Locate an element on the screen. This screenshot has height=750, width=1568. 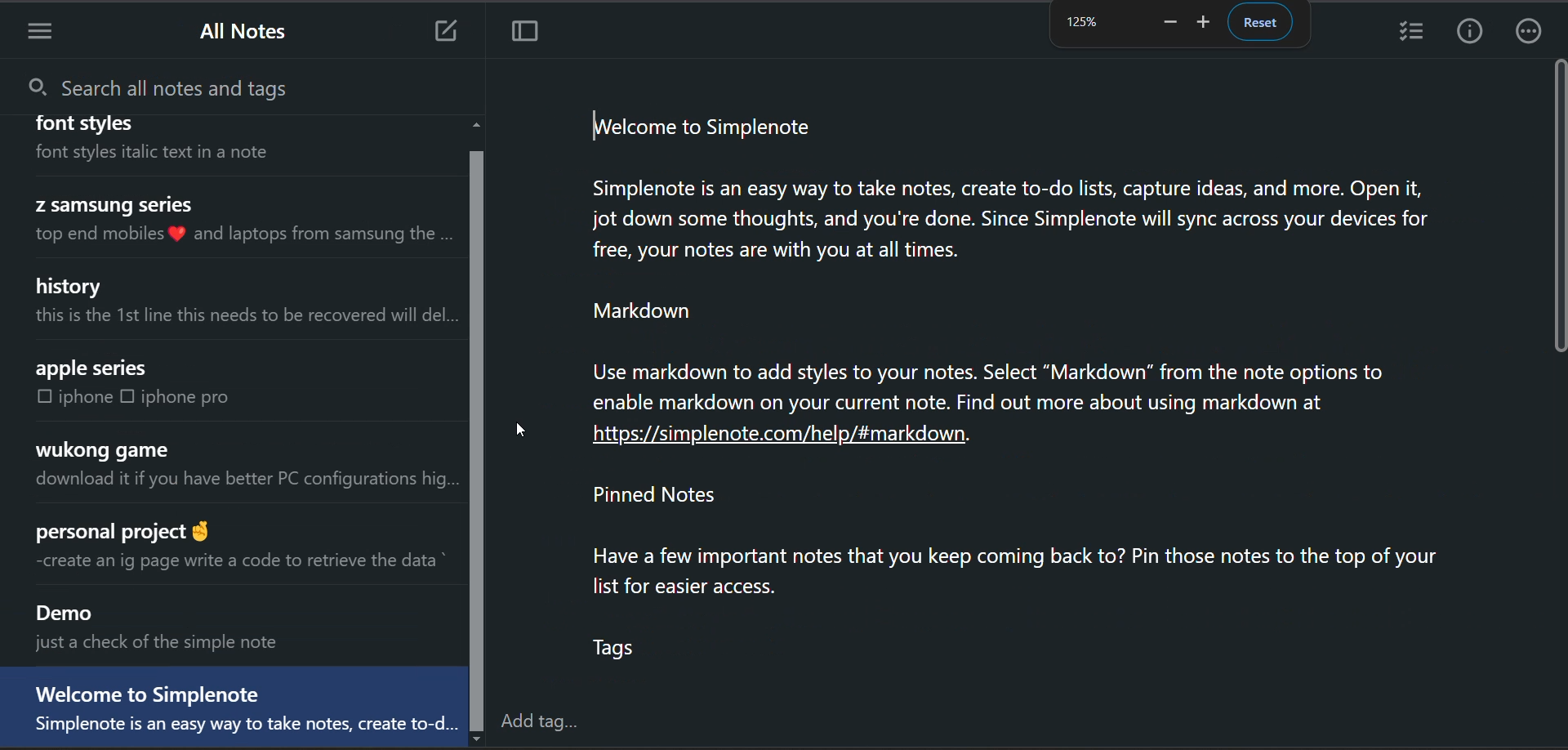
info is located at coordinates (1480, 29).